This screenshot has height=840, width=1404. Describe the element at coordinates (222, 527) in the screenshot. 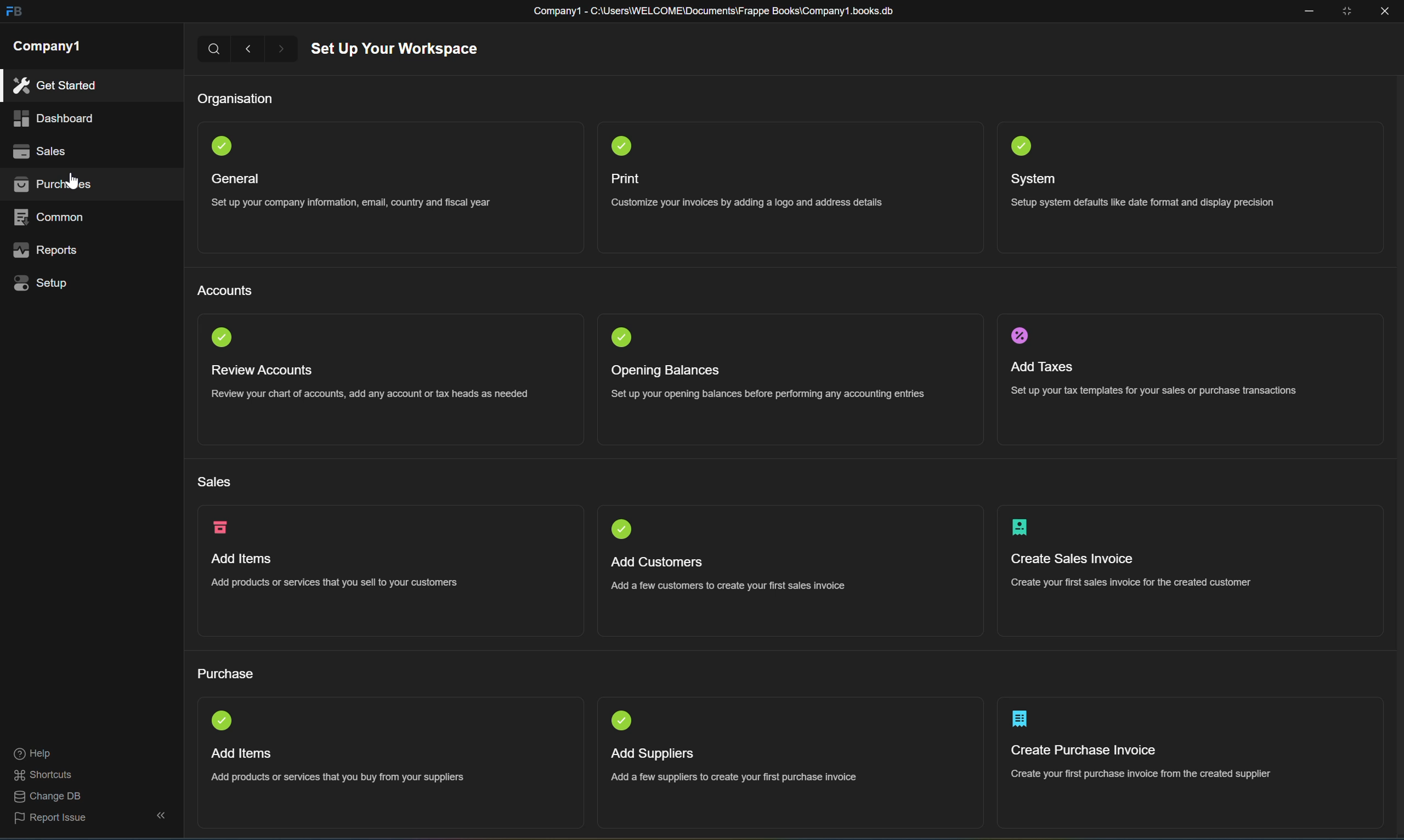

I see `logo` at that location.